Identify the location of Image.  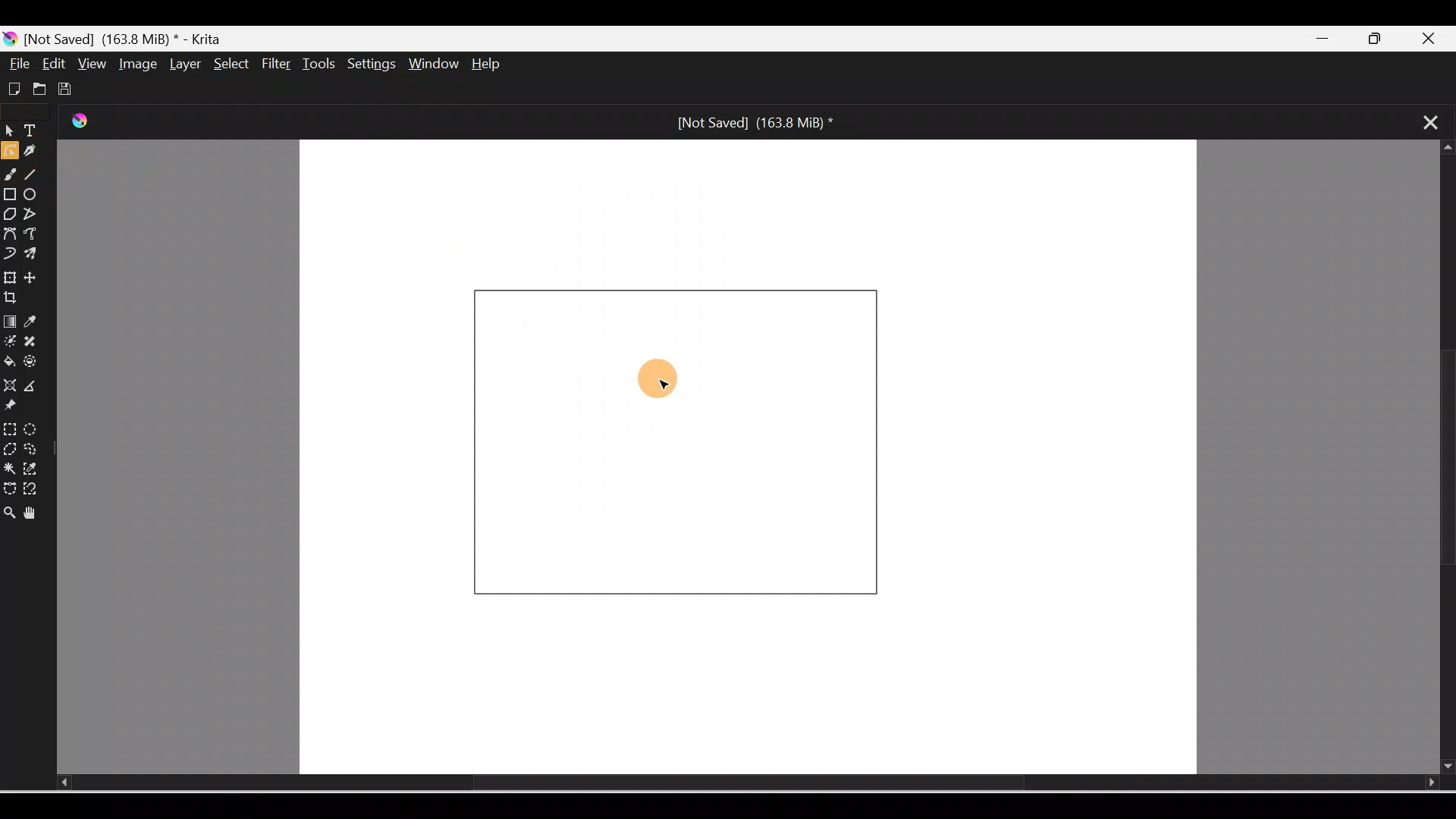
(135, 64).